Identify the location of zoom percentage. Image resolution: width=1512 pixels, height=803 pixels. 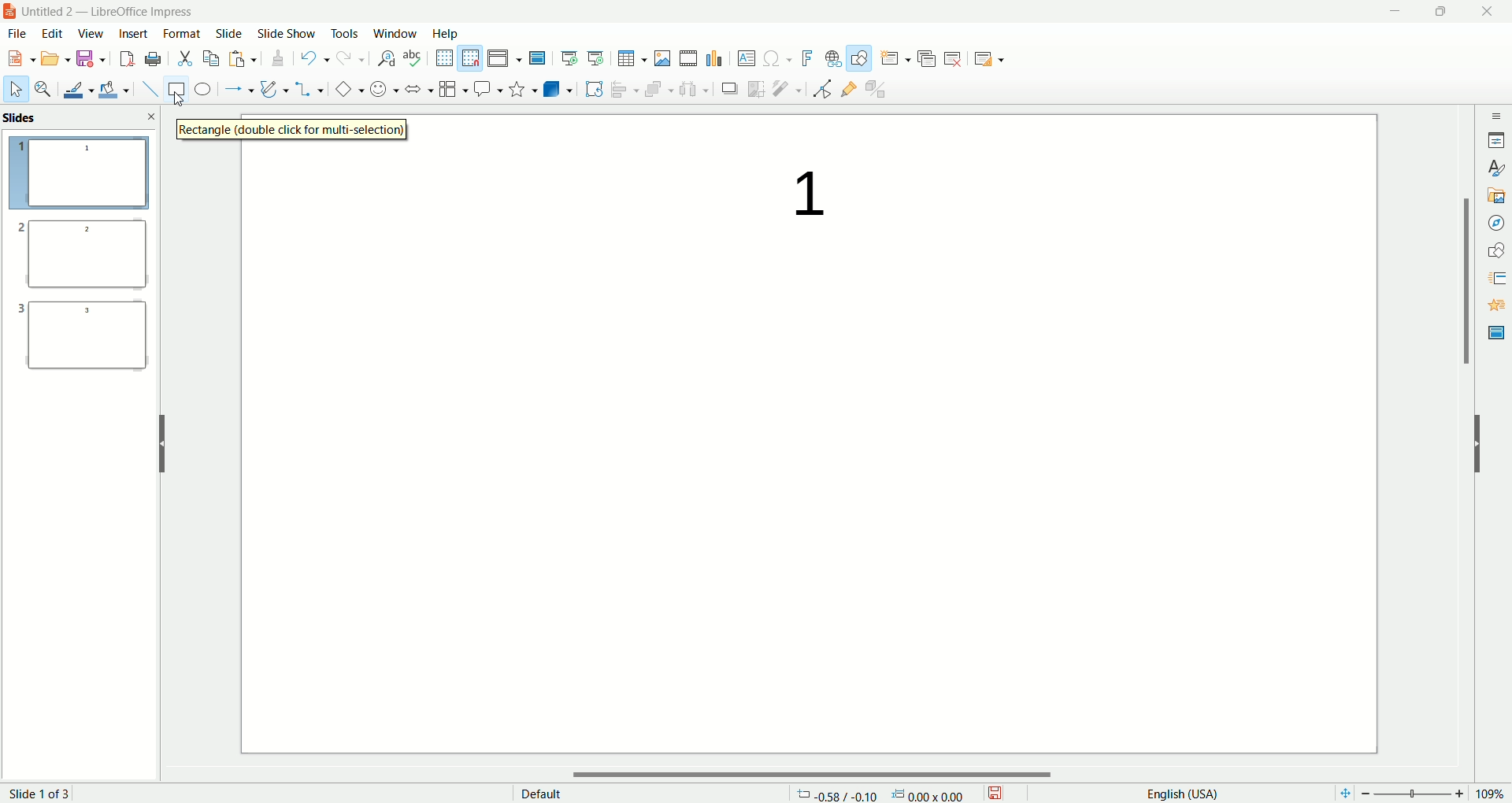
(1494, 794).